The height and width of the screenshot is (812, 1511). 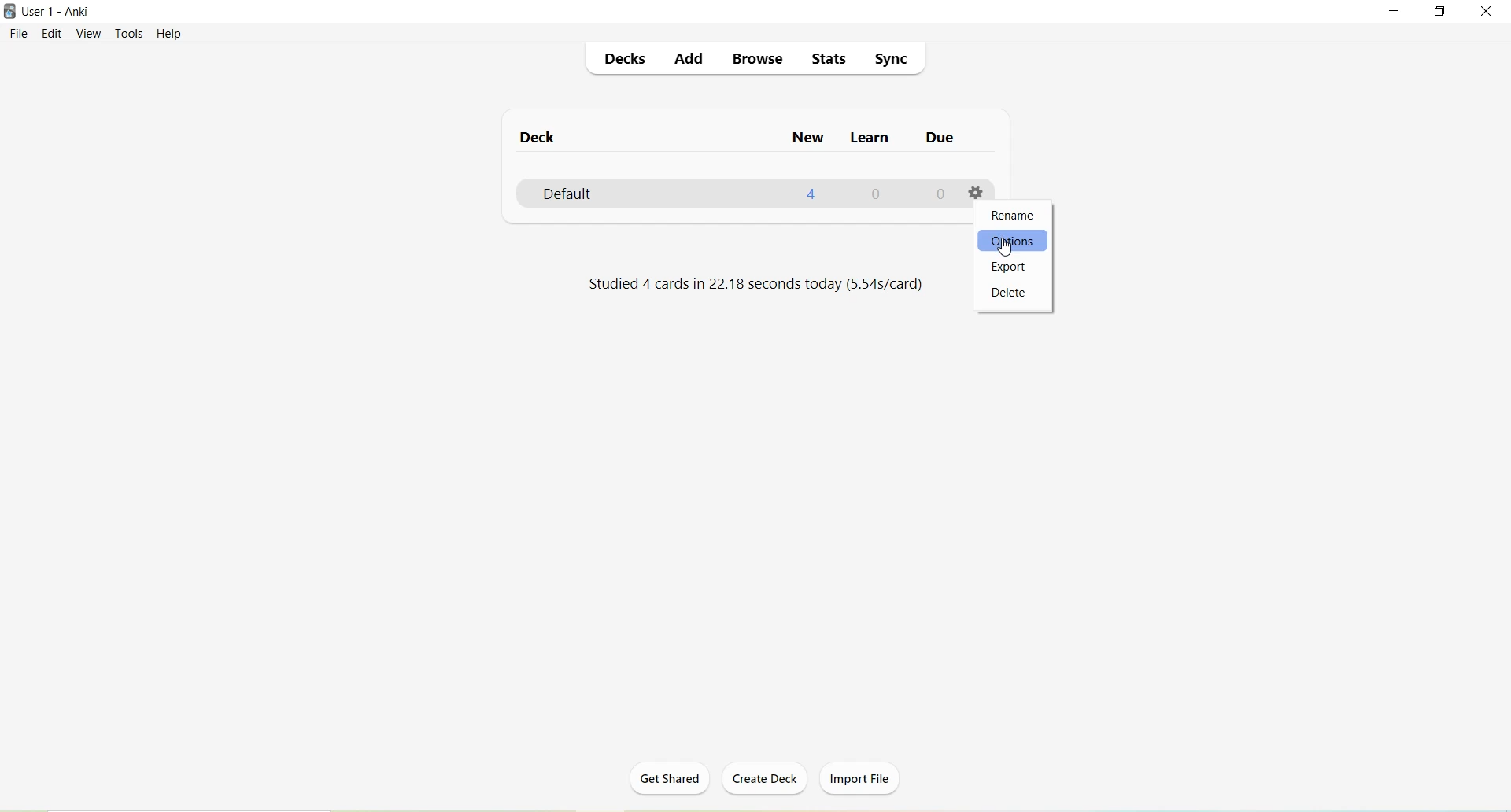 What do you see at coordinates (868, 138) in the screenshot?
I see `Learn` at bounding box center [868, 138].